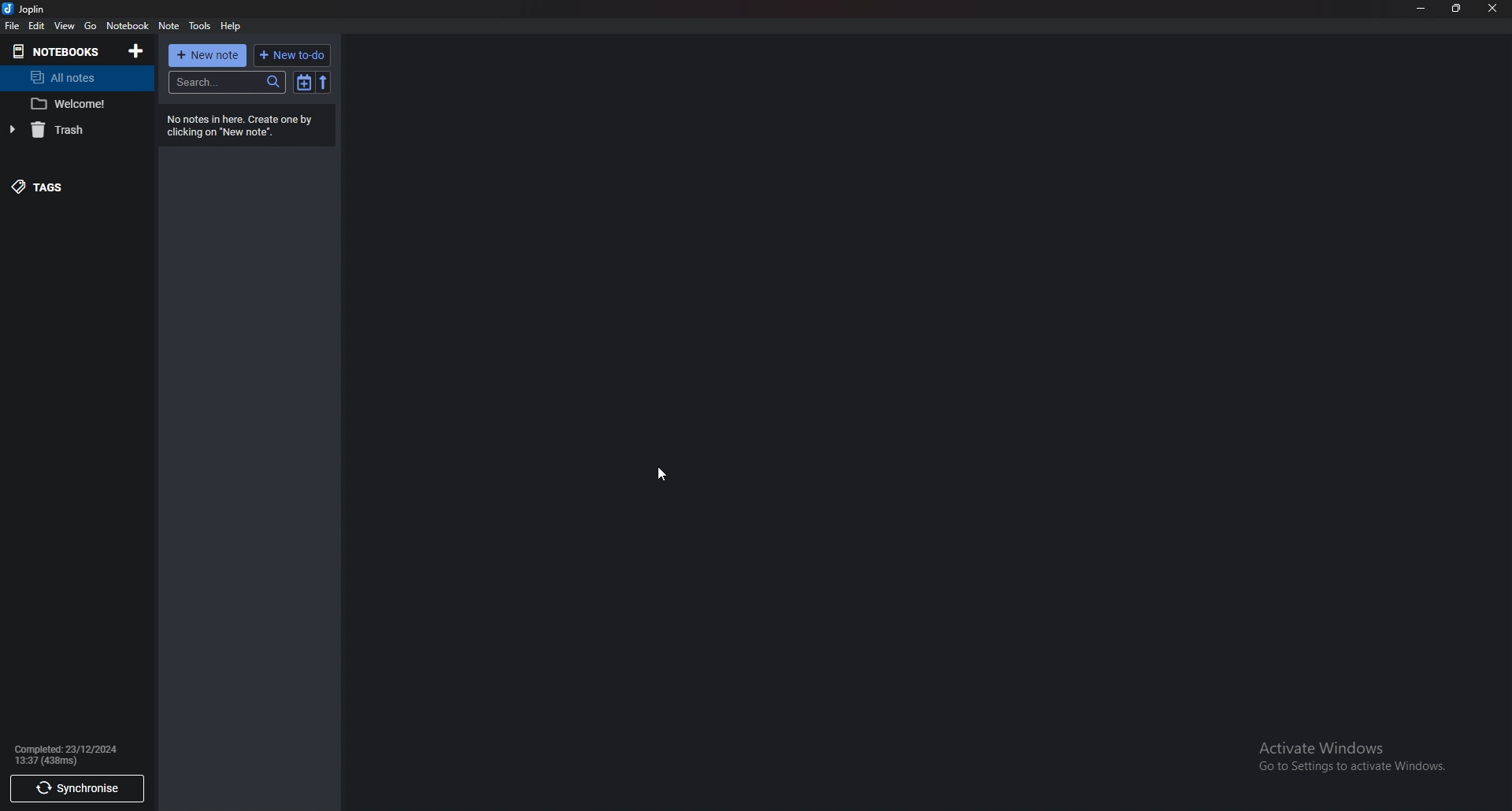 The image size is (1512, 811). I want to click on help, so click(230, 27).